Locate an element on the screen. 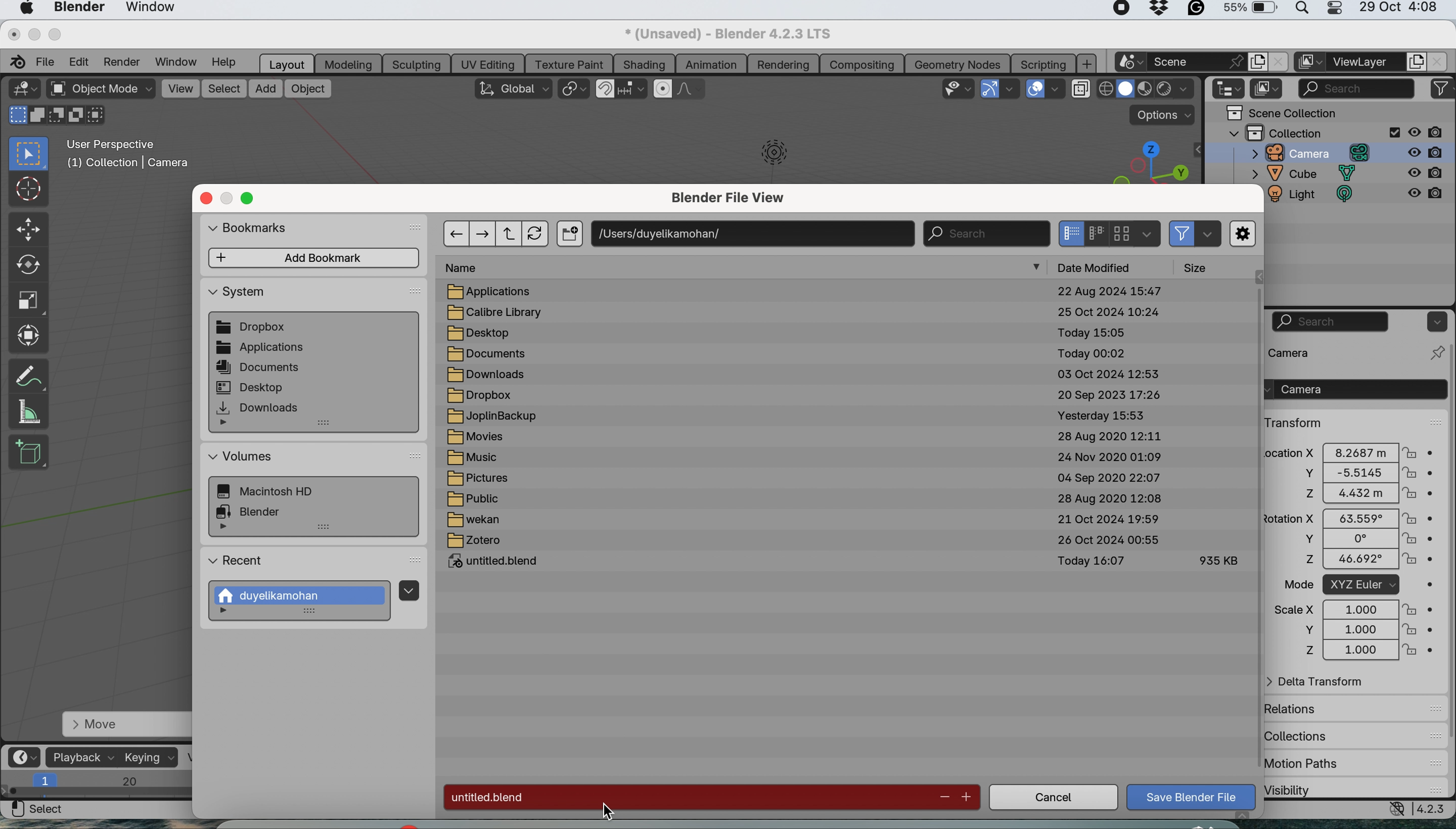 The width and height of the screenshot is (1456, 829). editor type is located at coordinates (23, 88).